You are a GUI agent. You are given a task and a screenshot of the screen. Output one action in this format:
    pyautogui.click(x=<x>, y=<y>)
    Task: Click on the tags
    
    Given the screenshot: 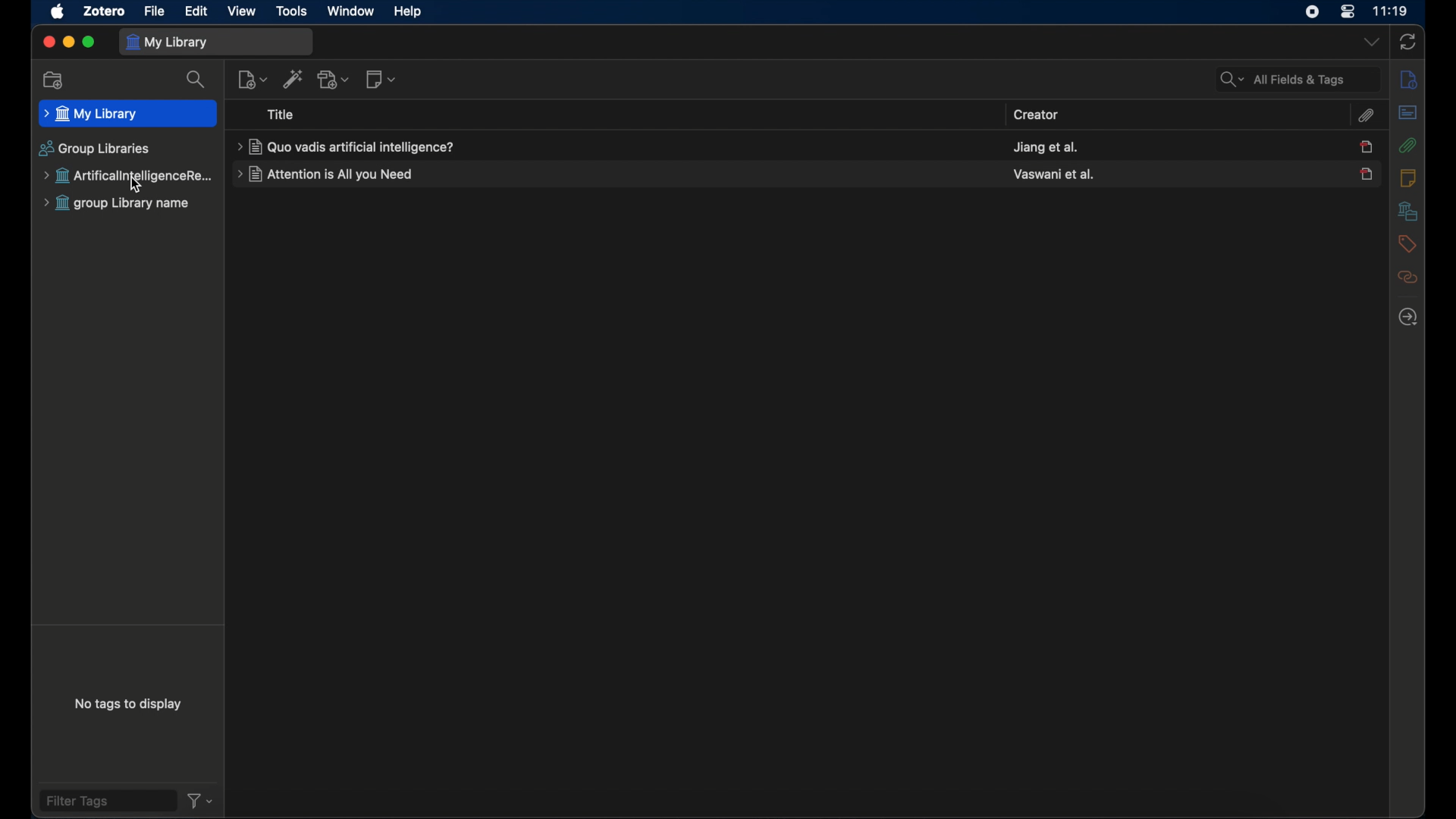 What is the action you would take?
    pyautogui.click(x=1406, y=243)
    